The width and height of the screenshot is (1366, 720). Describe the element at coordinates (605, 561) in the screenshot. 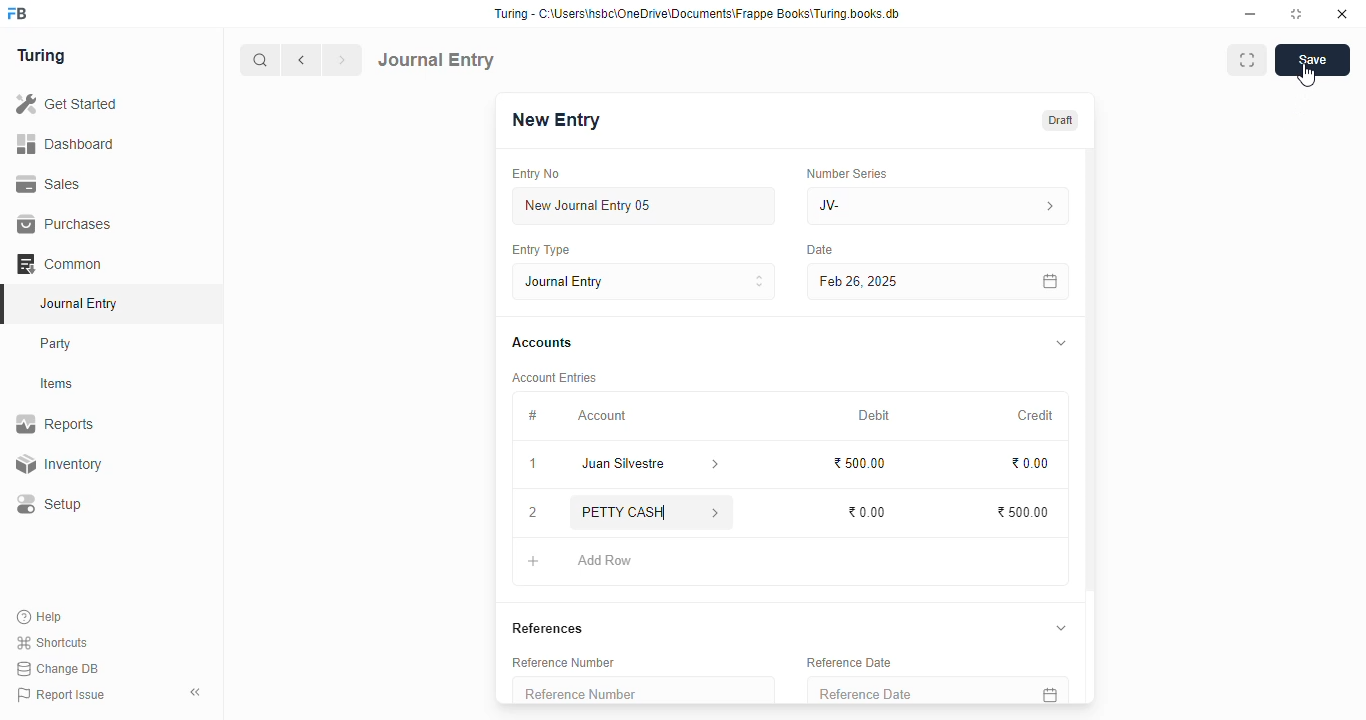

I see `add row` at that location.